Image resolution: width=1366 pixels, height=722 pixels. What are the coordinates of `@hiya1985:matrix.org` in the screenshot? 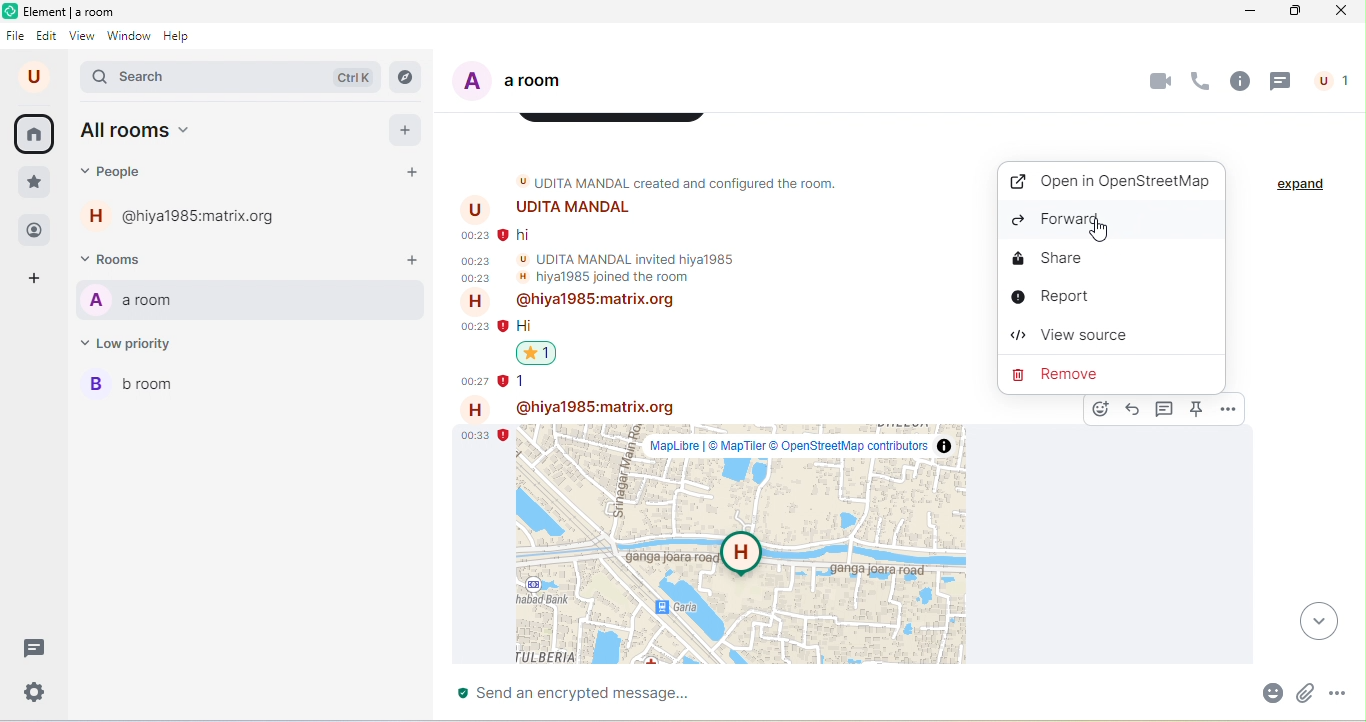 It's located at (565, 408).